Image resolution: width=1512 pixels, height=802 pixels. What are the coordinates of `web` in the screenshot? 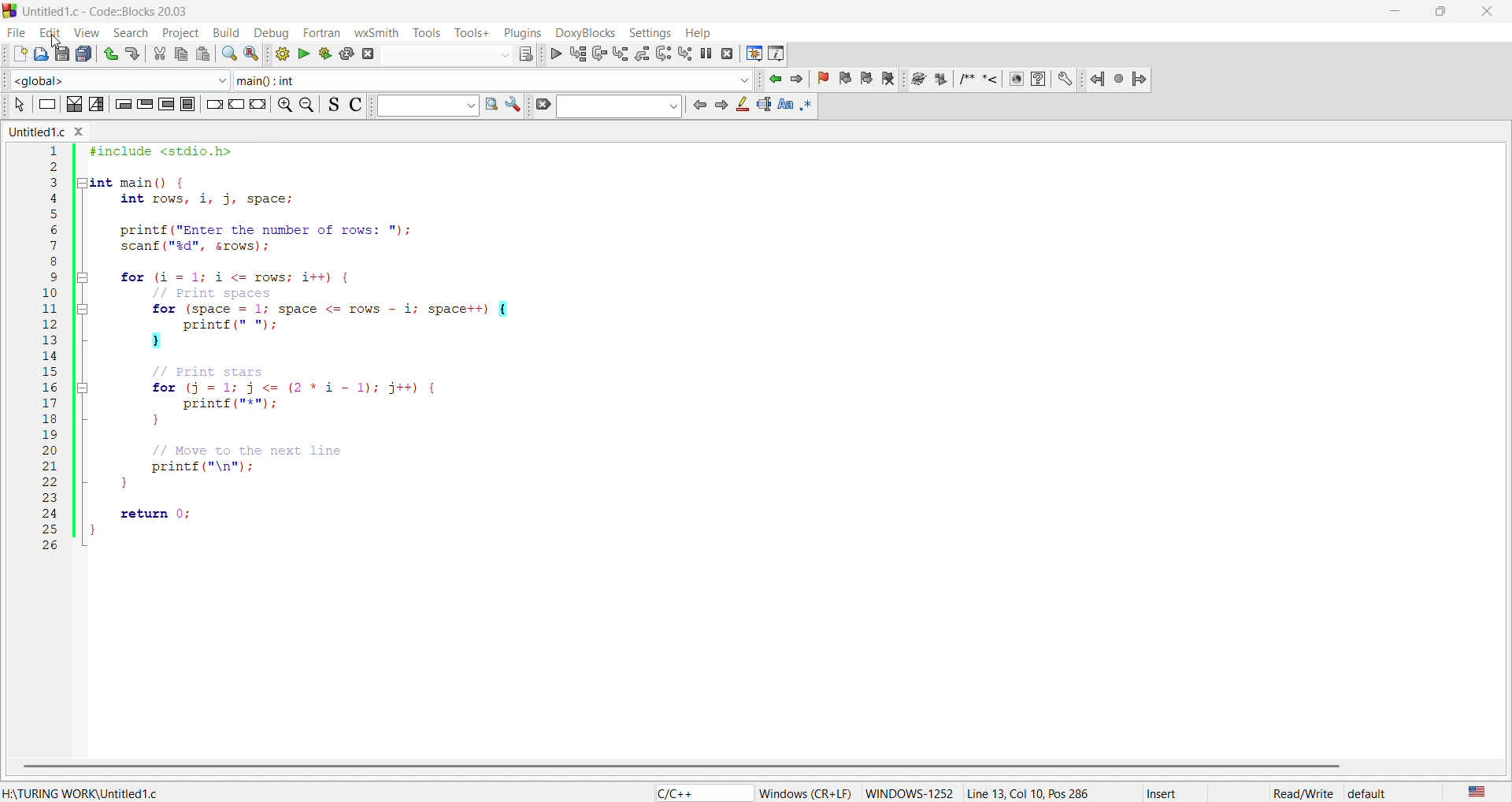 It's located at (1017, 80).